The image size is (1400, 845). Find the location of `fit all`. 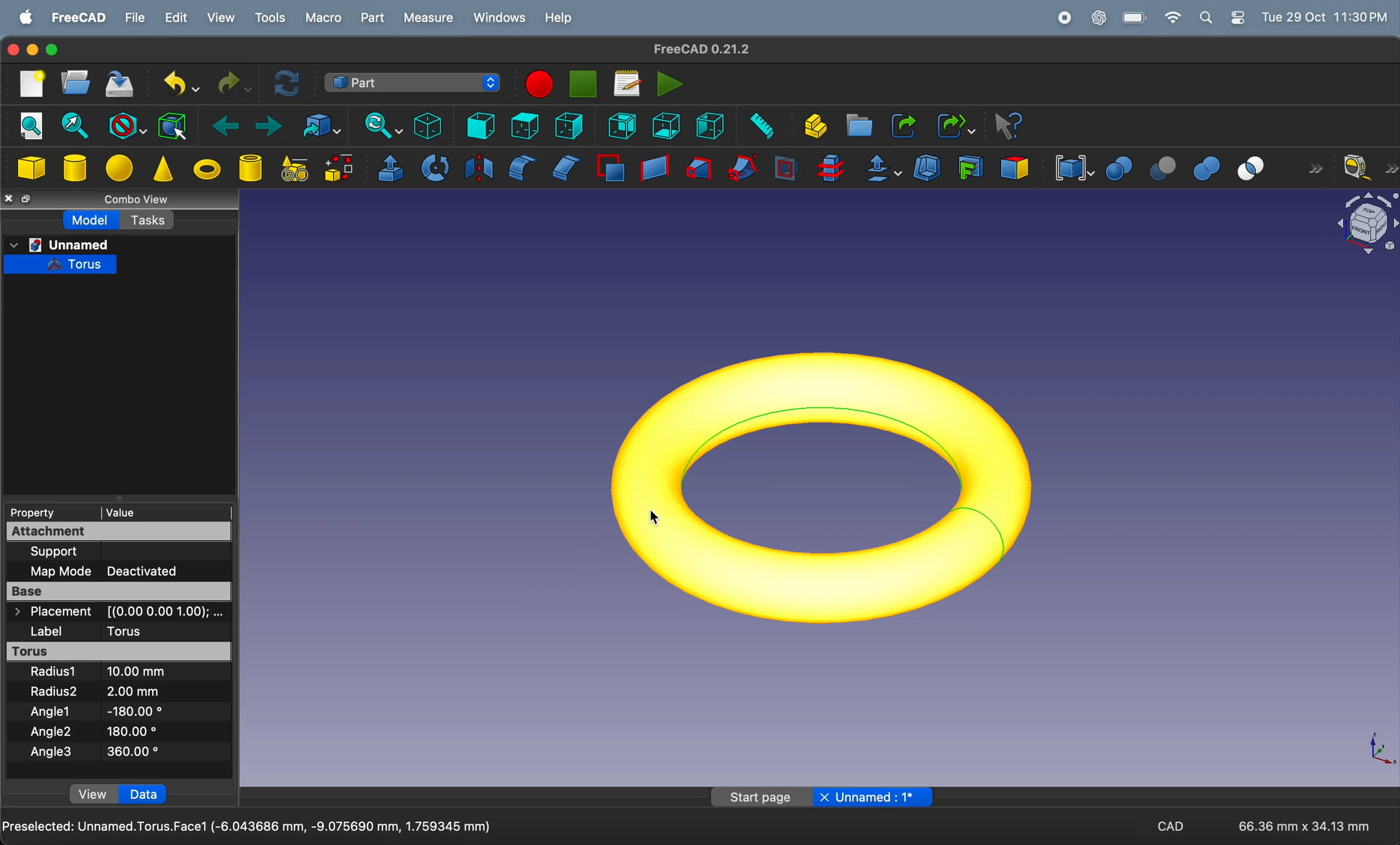

fit all is located at coordinates (30, 125).